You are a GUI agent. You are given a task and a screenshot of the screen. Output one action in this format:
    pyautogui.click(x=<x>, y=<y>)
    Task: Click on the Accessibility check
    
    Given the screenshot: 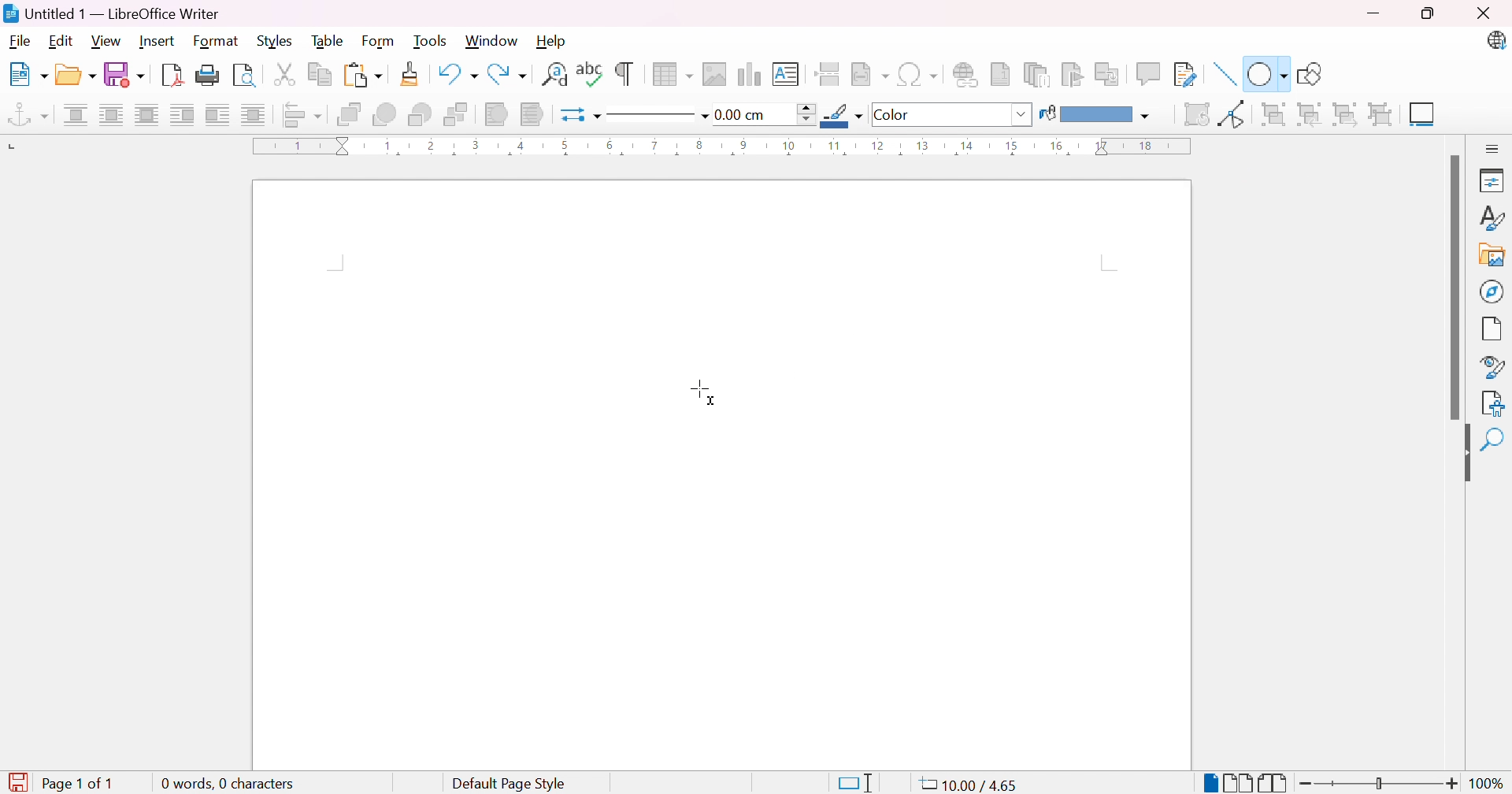 What is the action you would take?
    pyautogui.click(x=1492, y=441)
    